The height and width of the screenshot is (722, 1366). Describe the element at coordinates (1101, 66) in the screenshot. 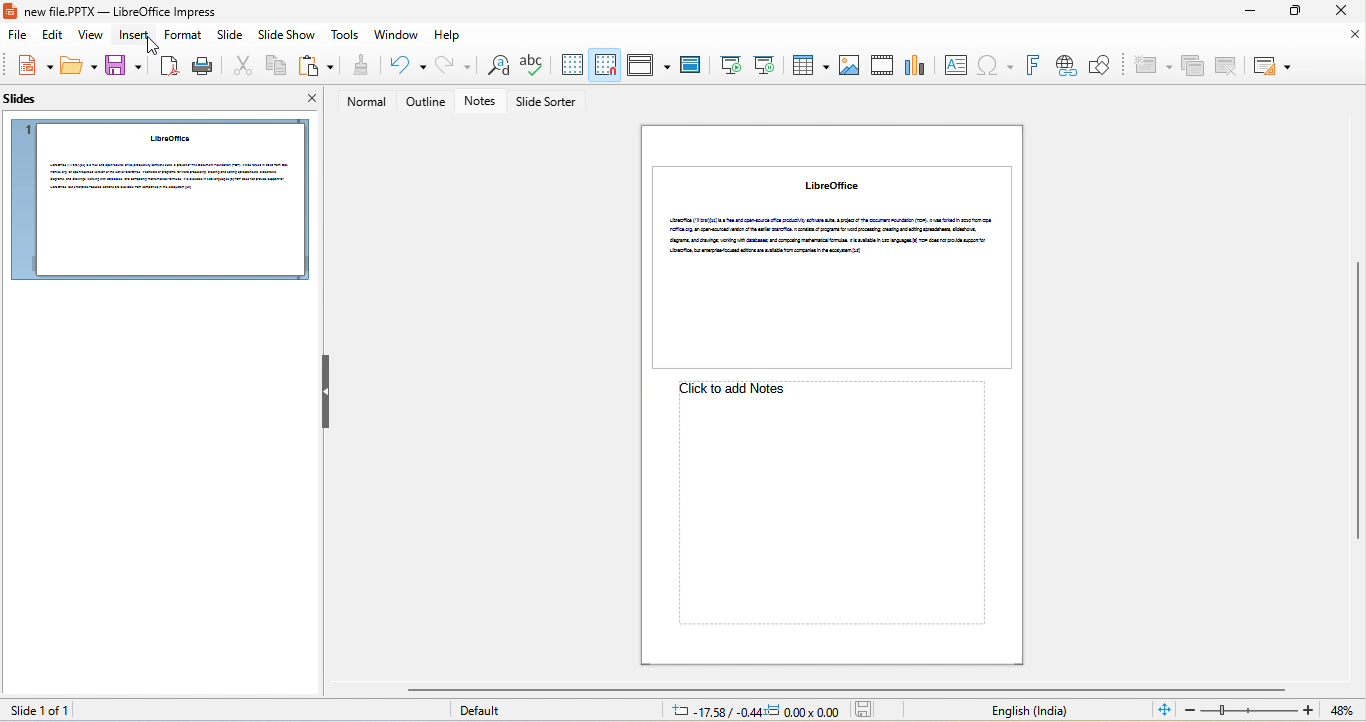

I see `how draw function` at that location.